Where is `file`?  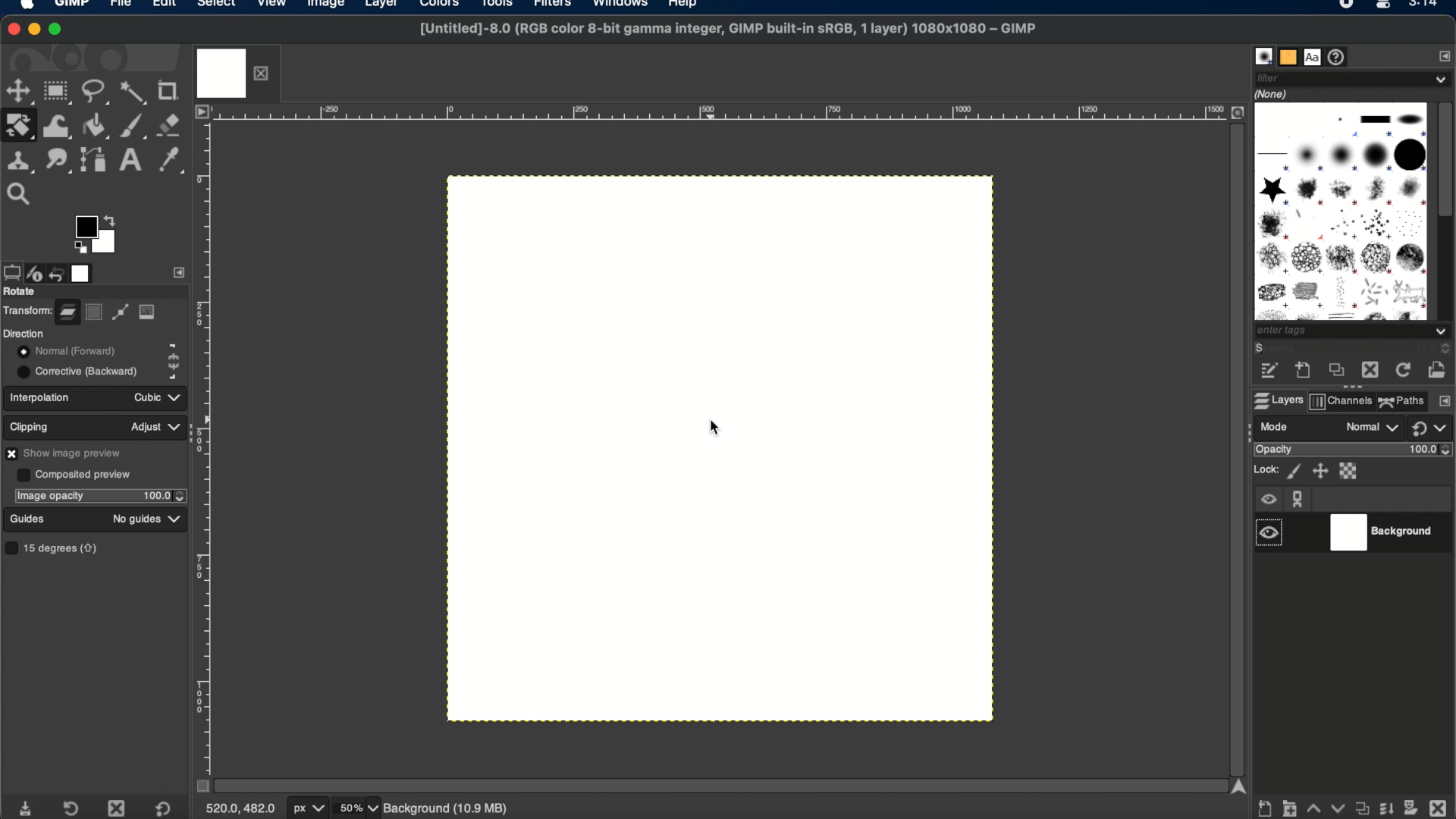
file is located at coordinates (121, 6).